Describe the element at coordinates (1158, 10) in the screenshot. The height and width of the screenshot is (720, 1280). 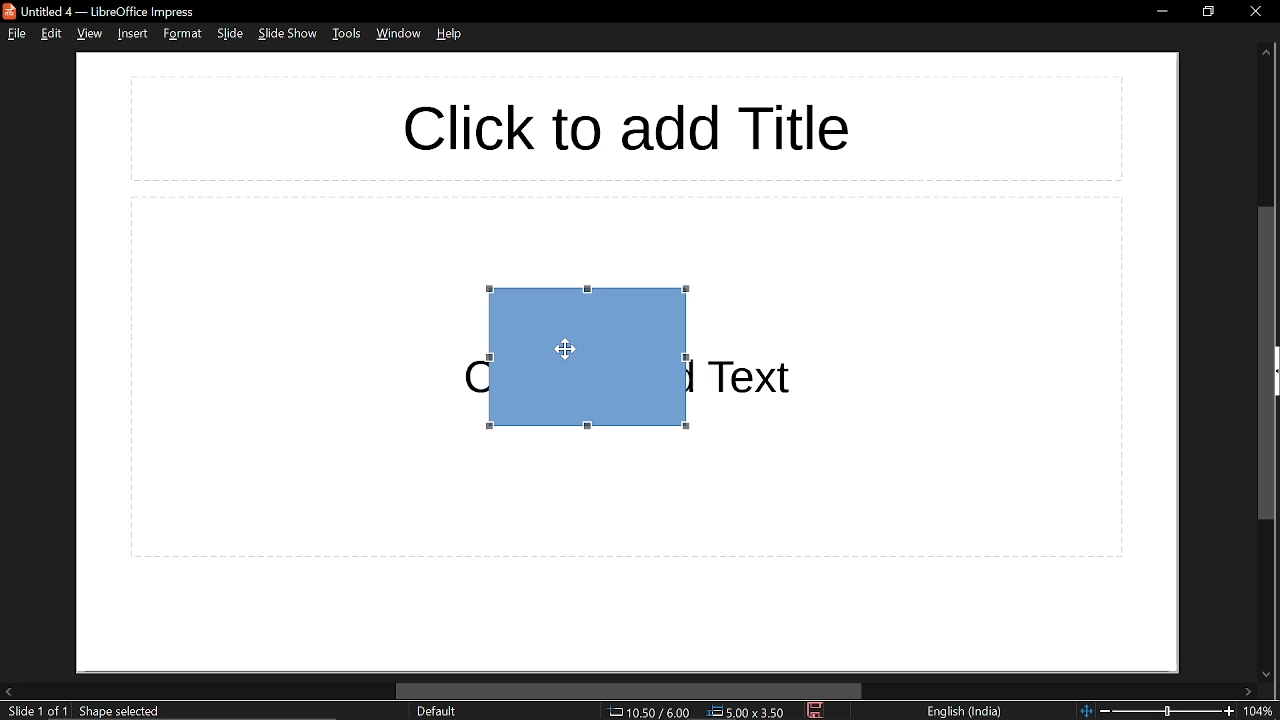
I see `minimize` at that location.